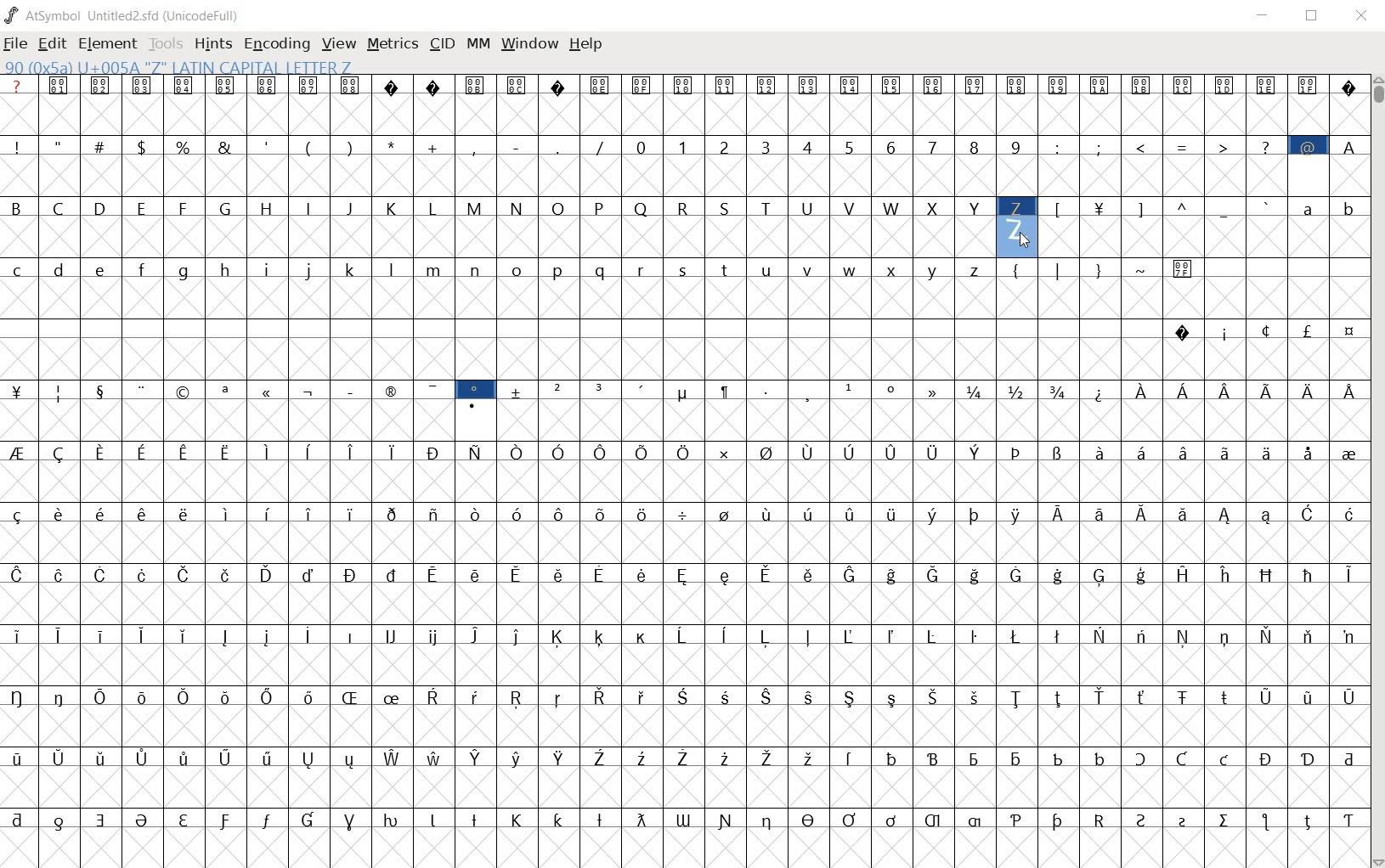  Describe the element at coordinates (54, 45) in the screenshot. I see `edit` at that location.